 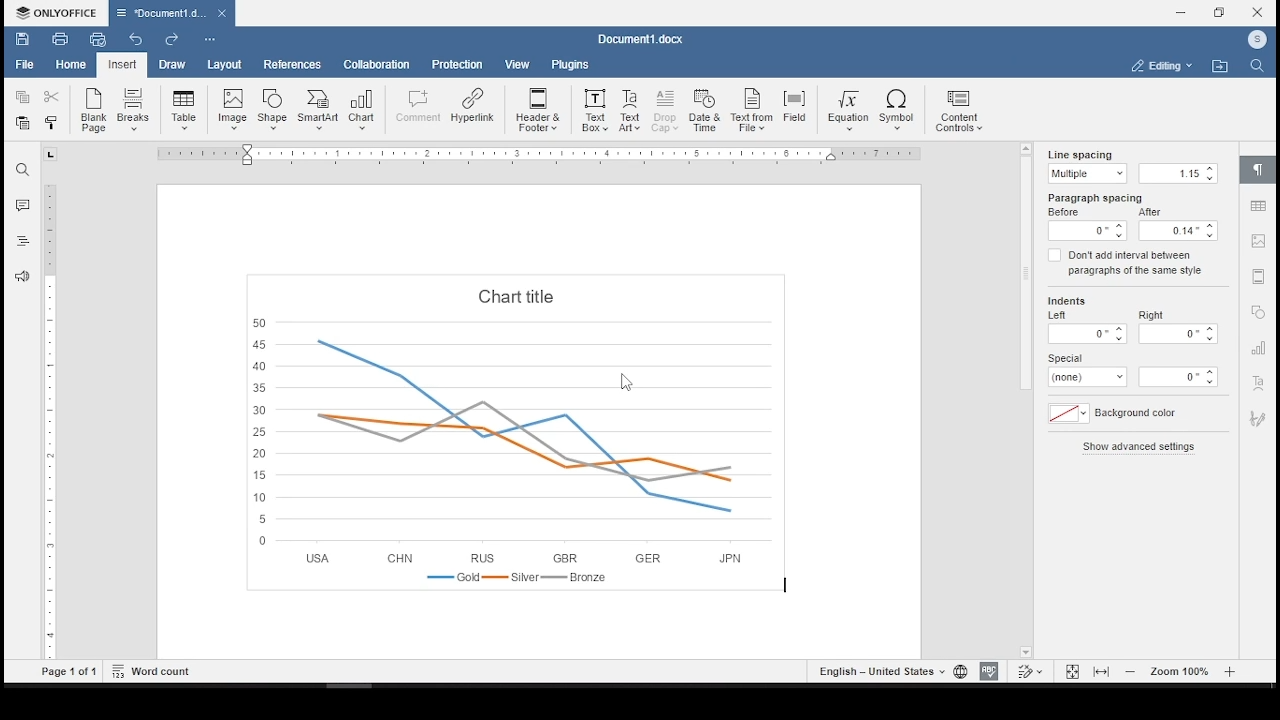 I want to click on mouse pointer, so click(x=623, y=380).